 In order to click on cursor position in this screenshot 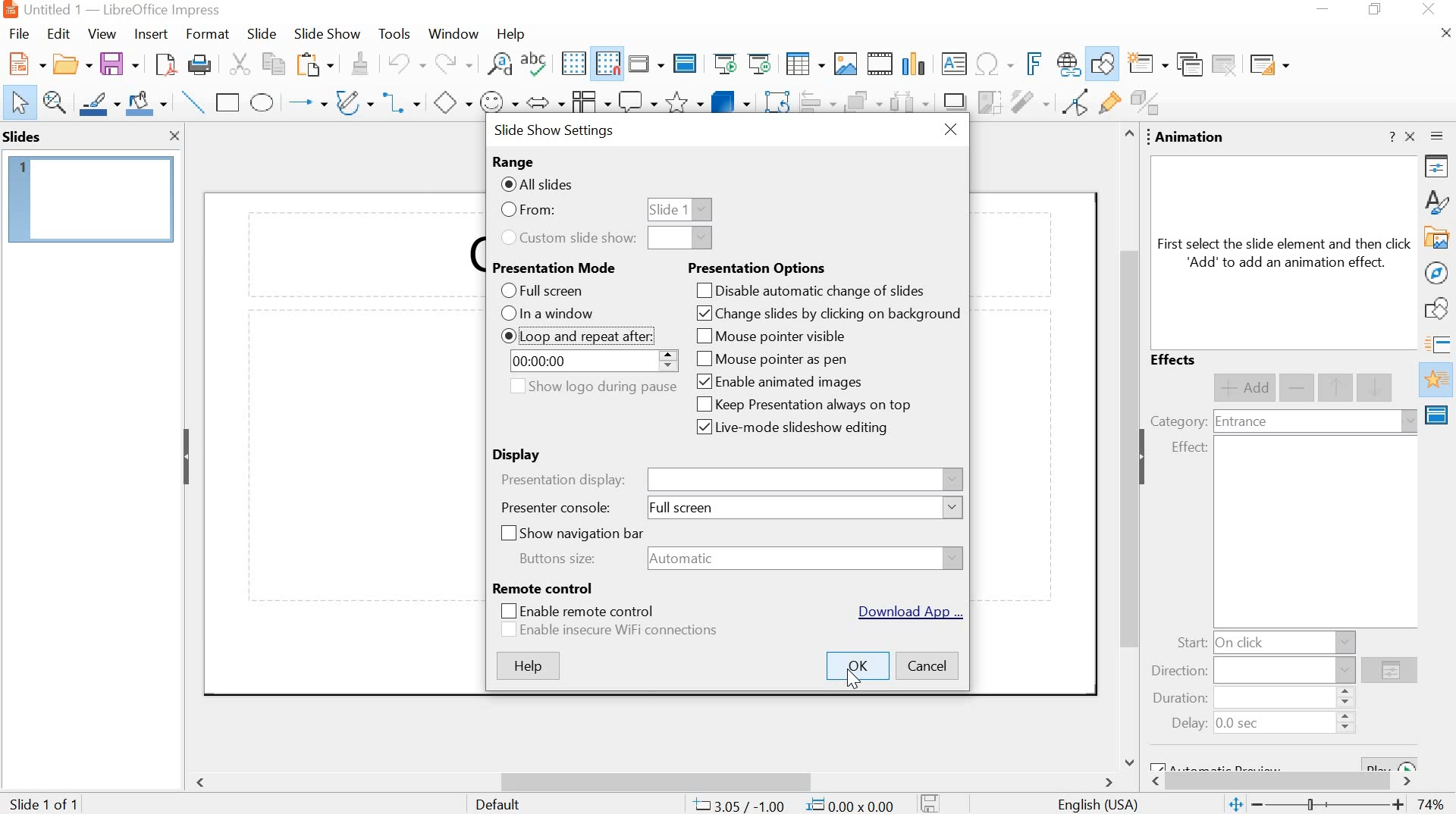, I will do `click(739, 805)`.